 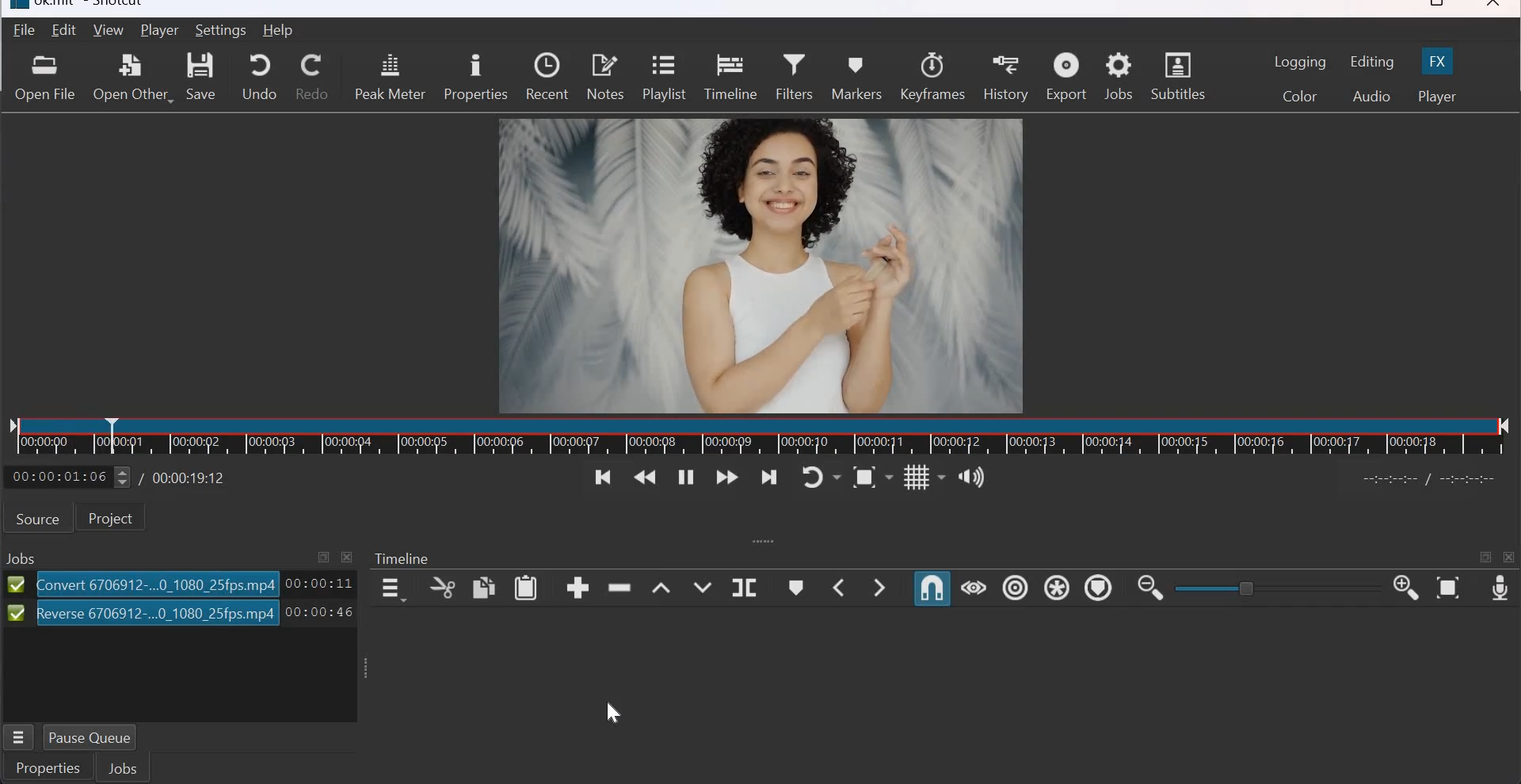 I want to click on canvas, so click(x=764, y=265).